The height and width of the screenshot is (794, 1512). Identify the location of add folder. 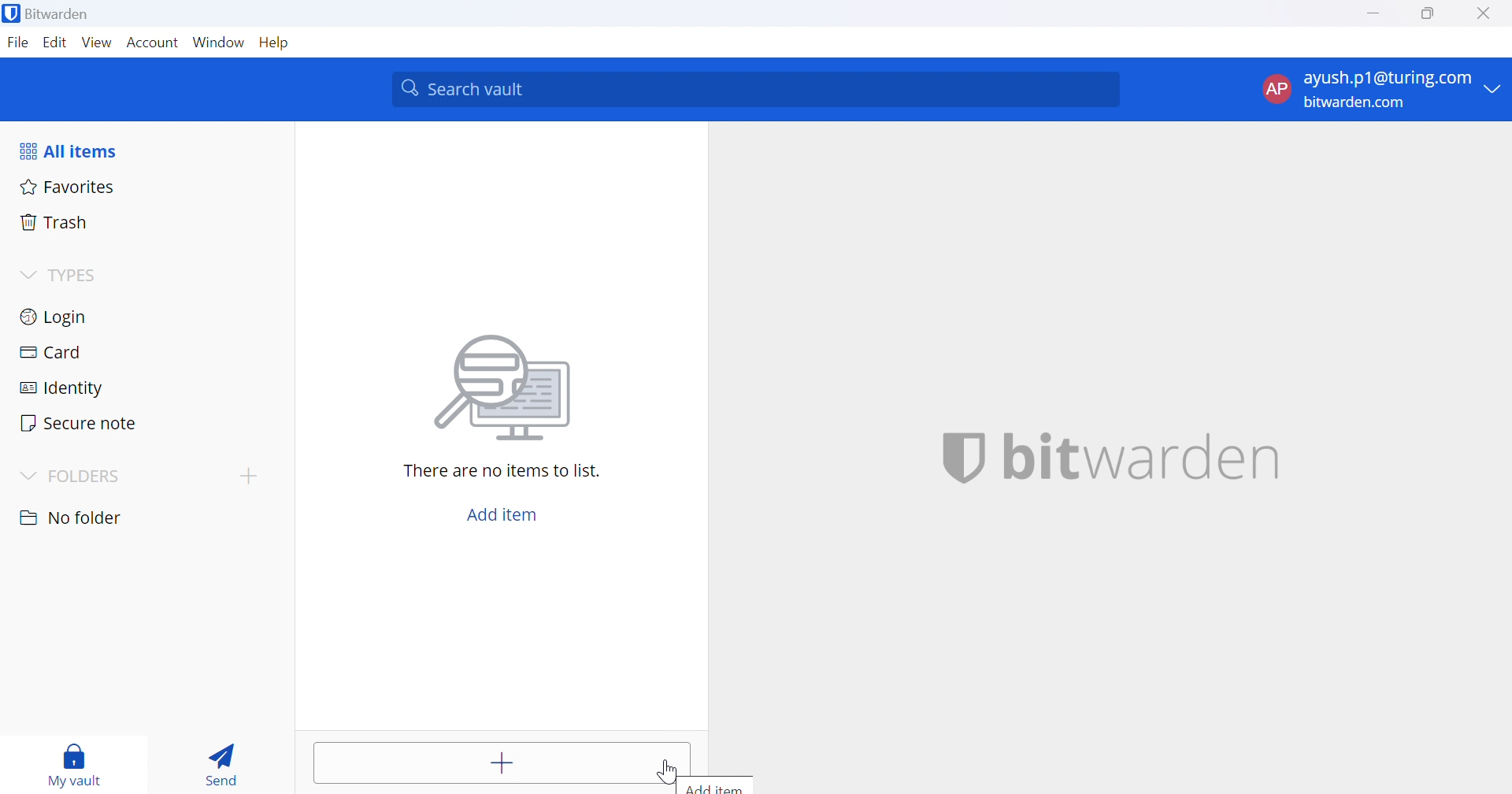
(252, 476).